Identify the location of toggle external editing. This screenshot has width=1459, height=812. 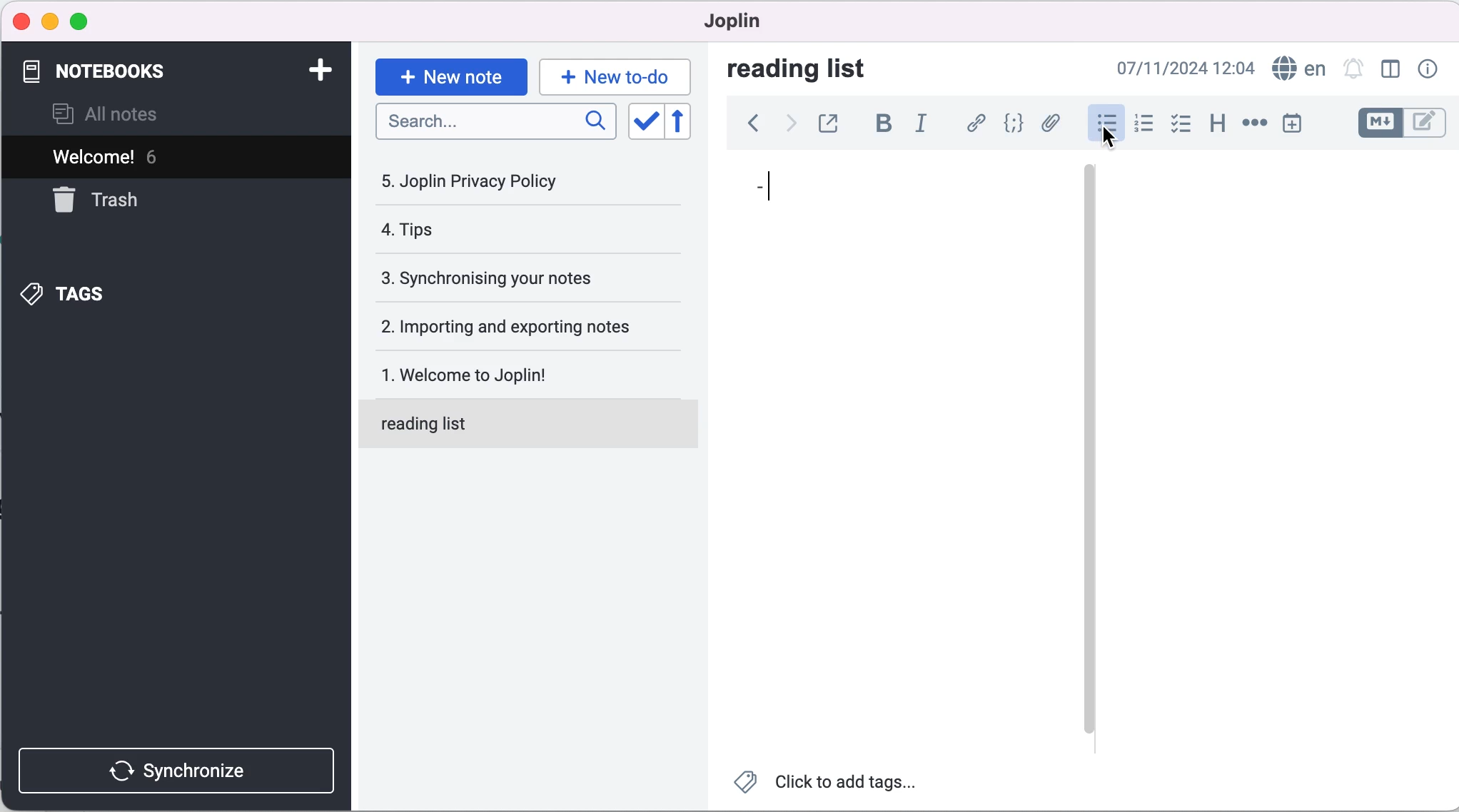
(835, 122).